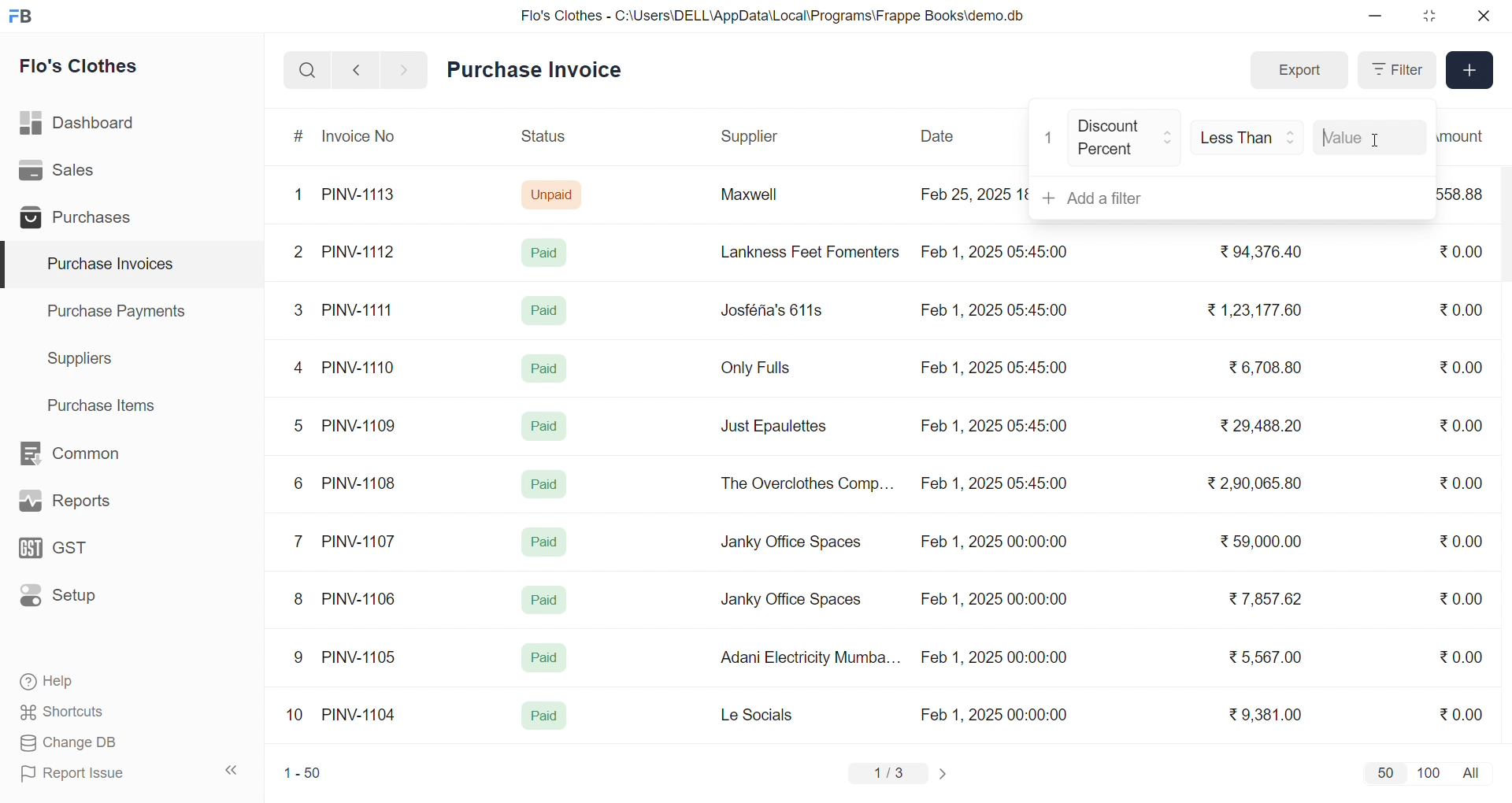 This screenshot has height=803, width=1512. What do you see at coordinates (1262, 657) in the screenshot?
I see `₹ 5,567.00` at bounding box center [1262, 657].